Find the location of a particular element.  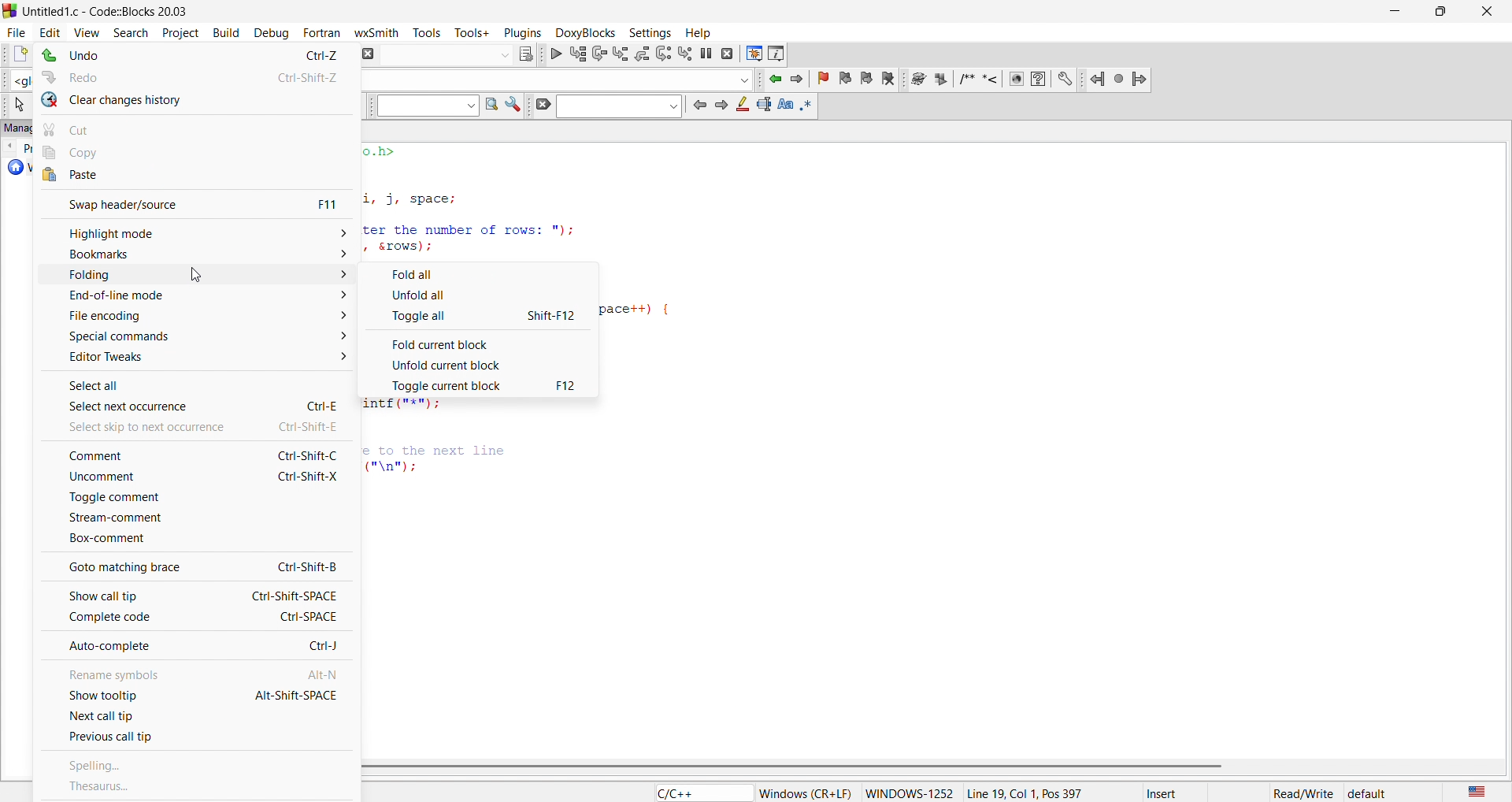

clear is located at coordinates (540, 106).